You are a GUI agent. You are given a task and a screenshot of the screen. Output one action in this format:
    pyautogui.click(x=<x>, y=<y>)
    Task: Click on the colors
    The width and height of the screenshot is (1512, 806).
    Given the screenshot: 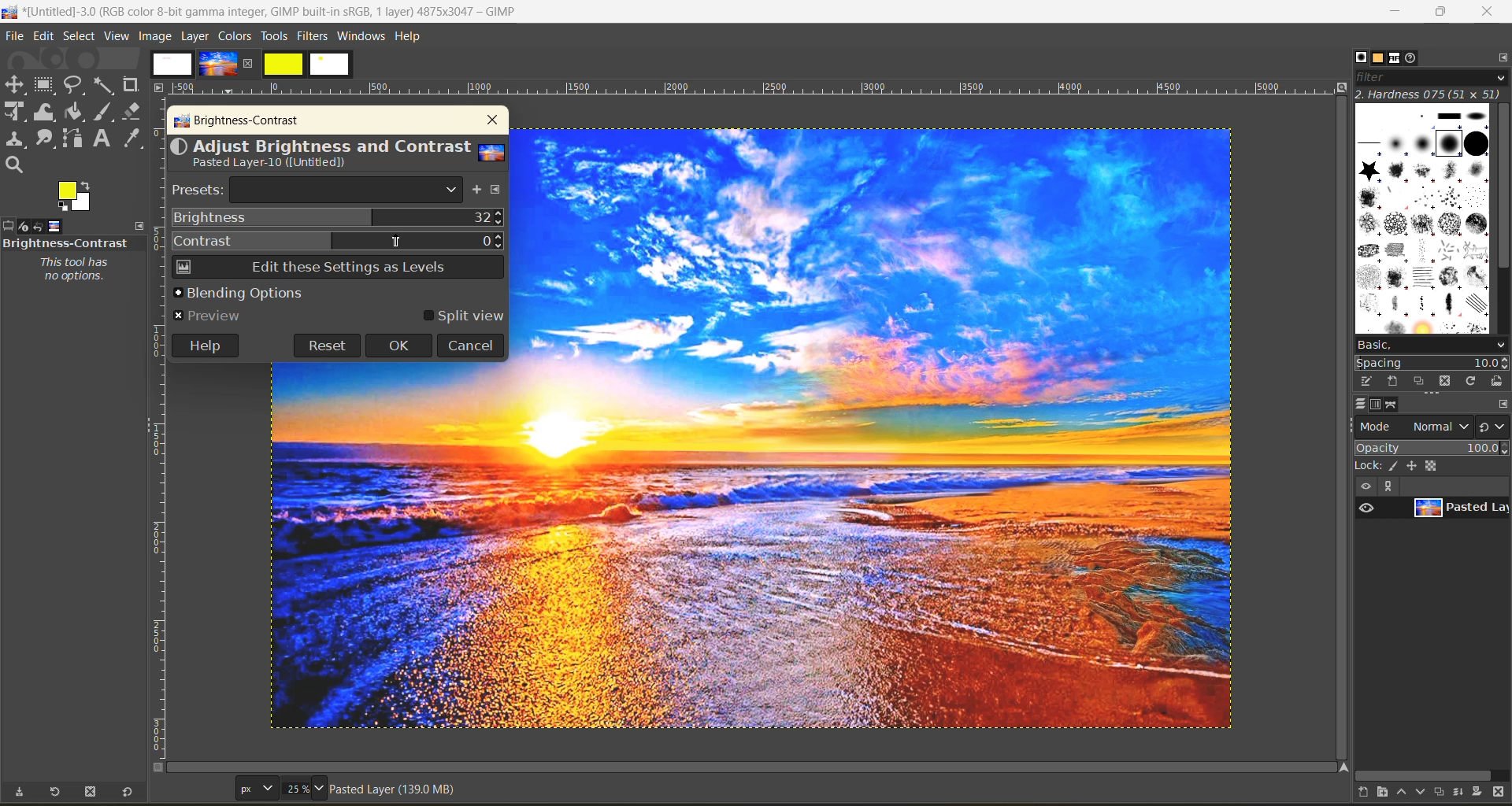 What is the action you would take?
    pyautogui.click(x=235, y=35)
    